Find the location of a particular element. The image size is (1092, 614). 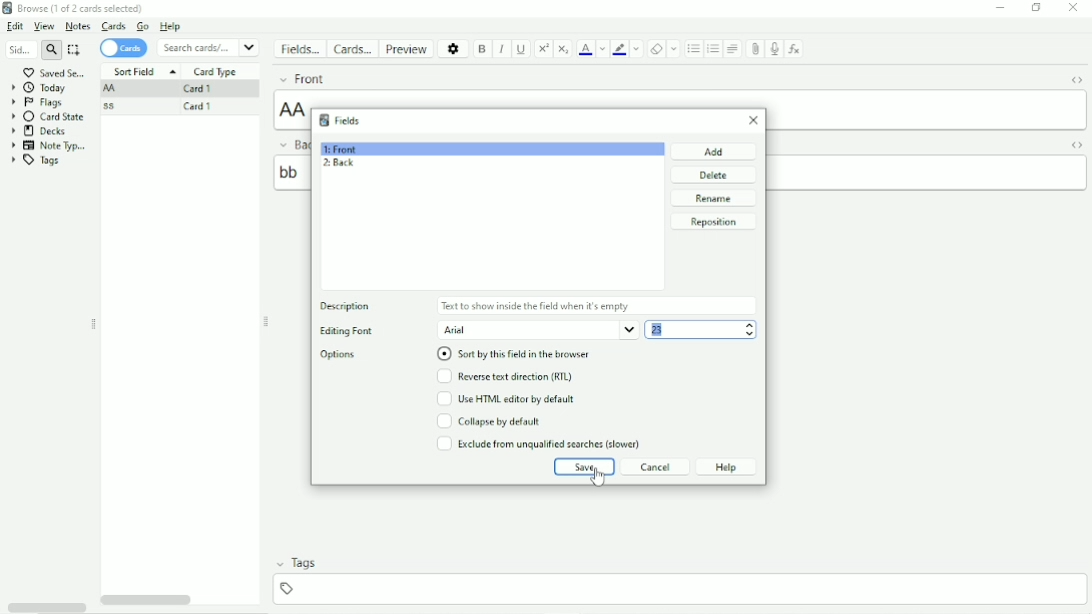

23 is located at coordinates (685, 330).